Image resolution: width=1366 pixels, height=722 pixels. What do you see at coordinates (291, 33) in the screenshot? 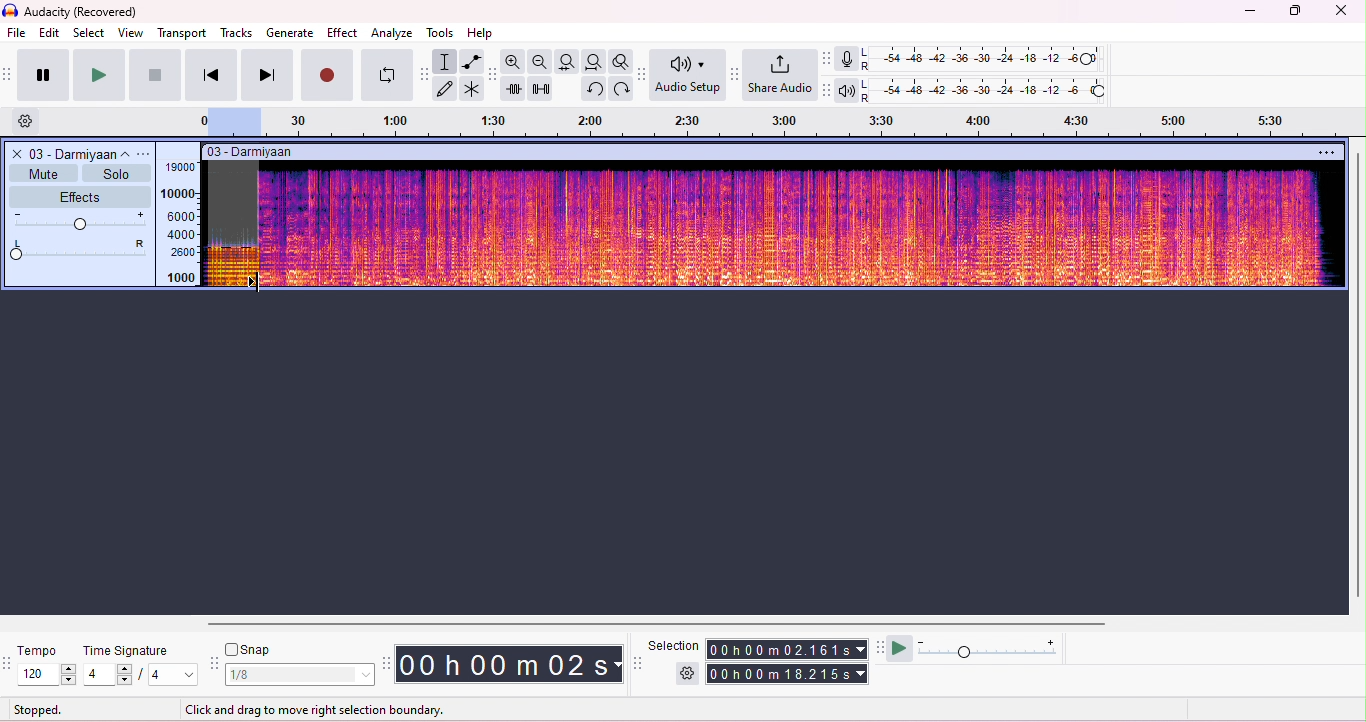
I see `generate` at bounding box center [291, 33].